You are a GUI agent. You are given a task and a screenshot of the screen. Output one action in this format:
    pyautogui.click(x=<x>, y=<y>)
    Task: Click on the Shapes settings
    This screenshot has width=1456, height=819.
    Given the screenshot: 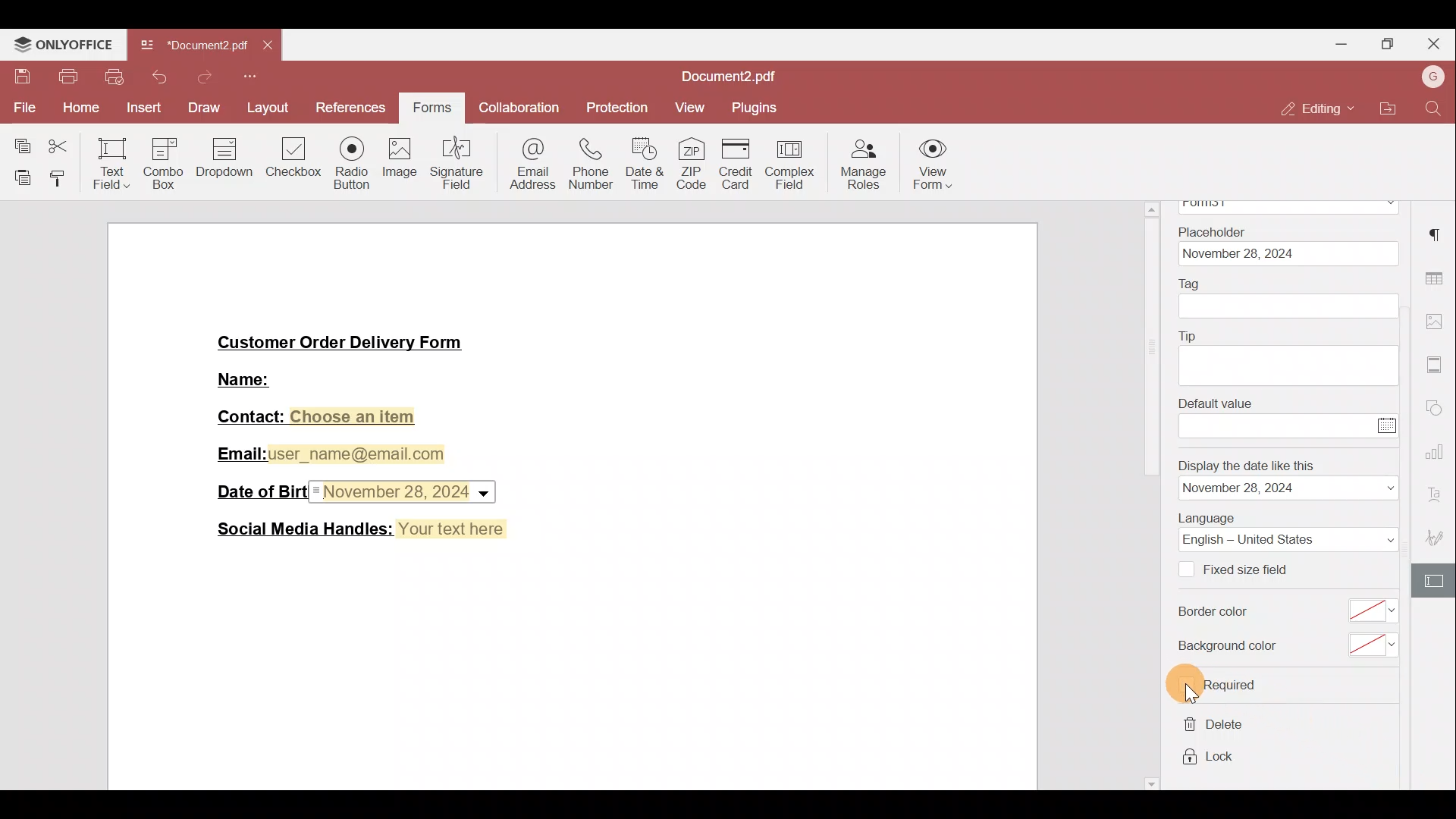 What is the action you would take?
    pyautogui.click(x=1436, y=409)
    